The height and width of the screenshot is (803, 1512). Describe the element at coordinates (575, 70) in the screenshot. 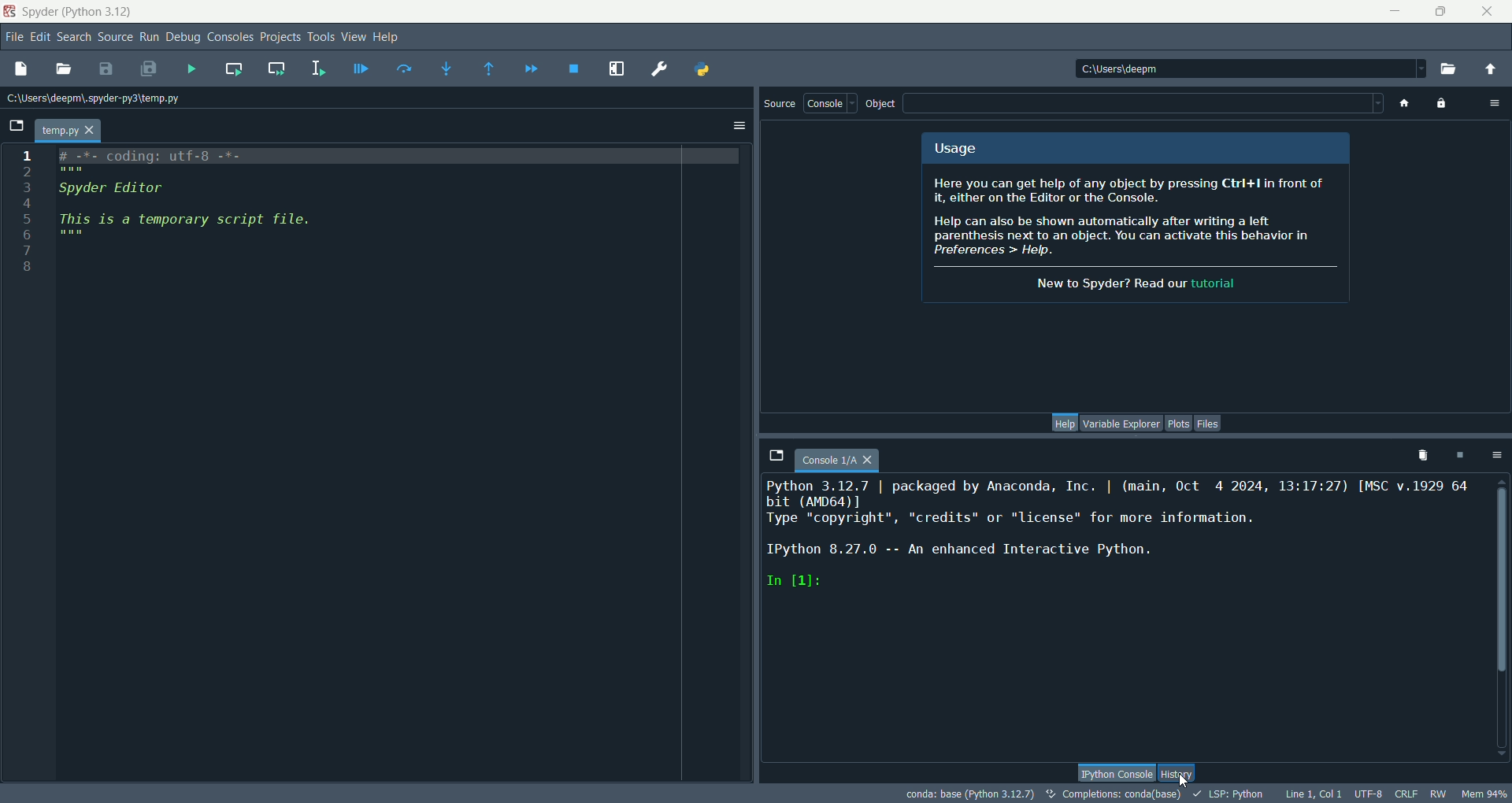

I see `stop debug` at that location.